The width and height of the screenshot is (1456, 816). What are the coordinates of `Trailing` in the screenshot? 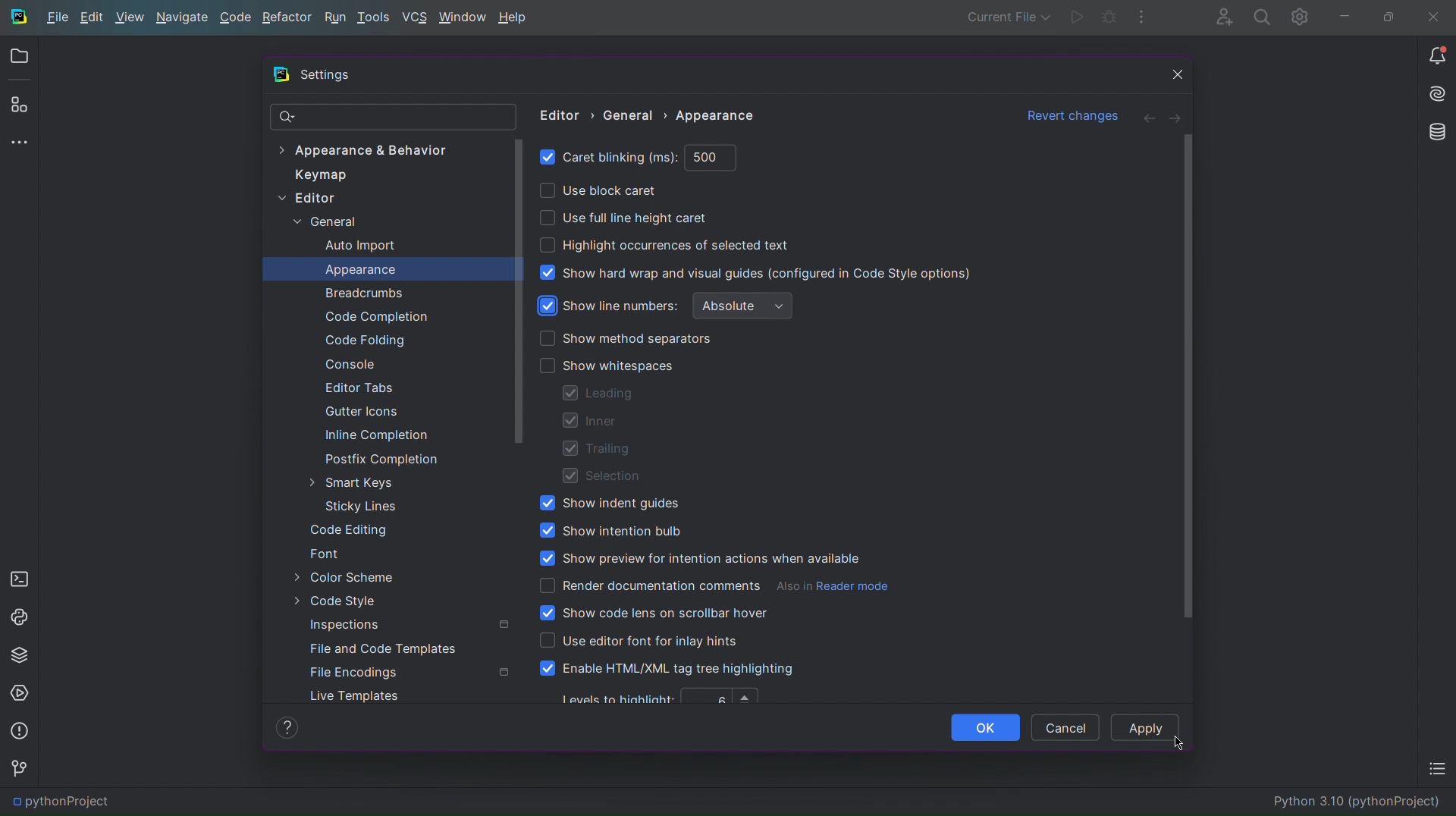 It's located at (596, 450).